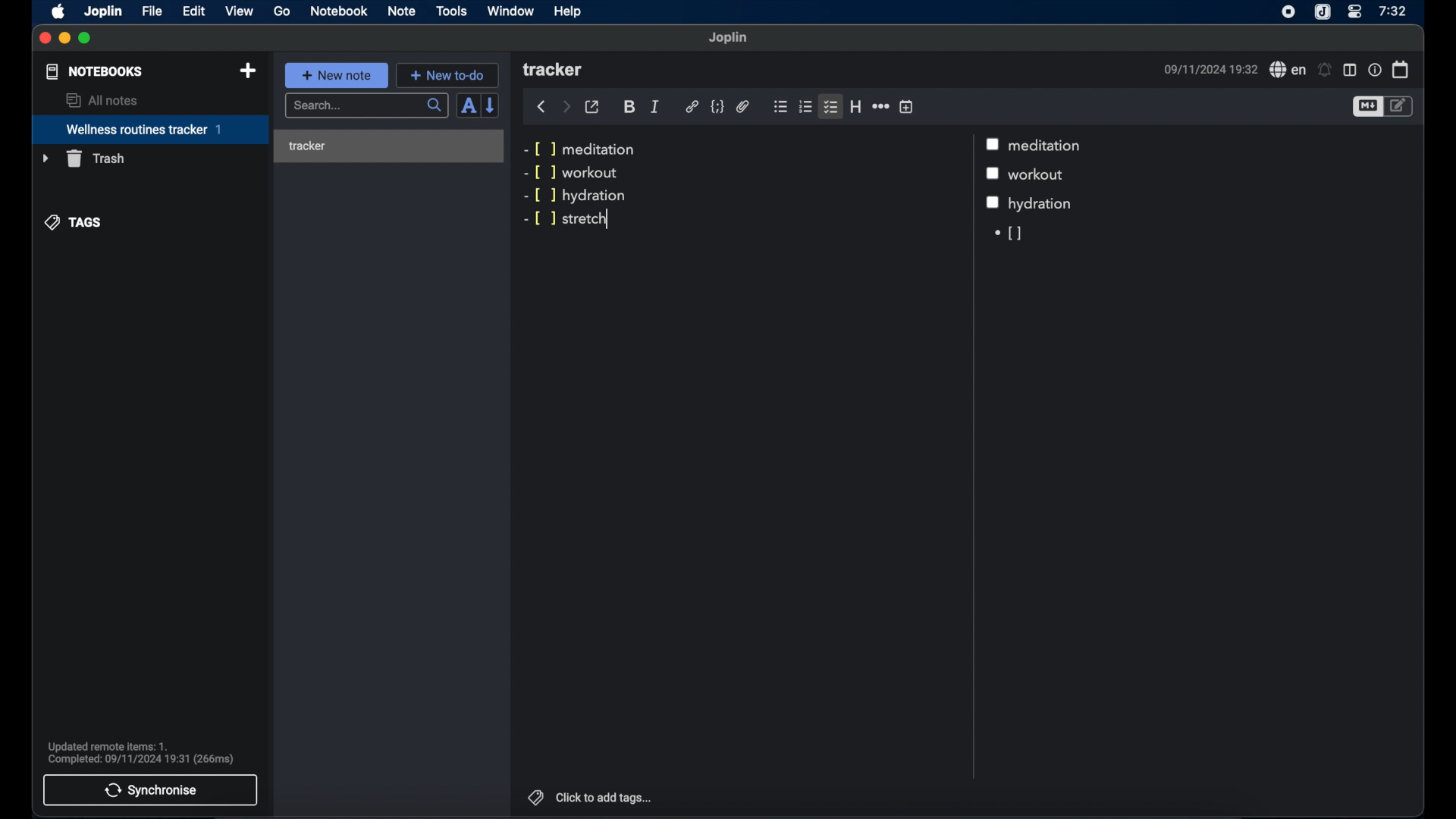 This screenshot has width=1456, height=819. I want to click on tracker, so click(554, 71).